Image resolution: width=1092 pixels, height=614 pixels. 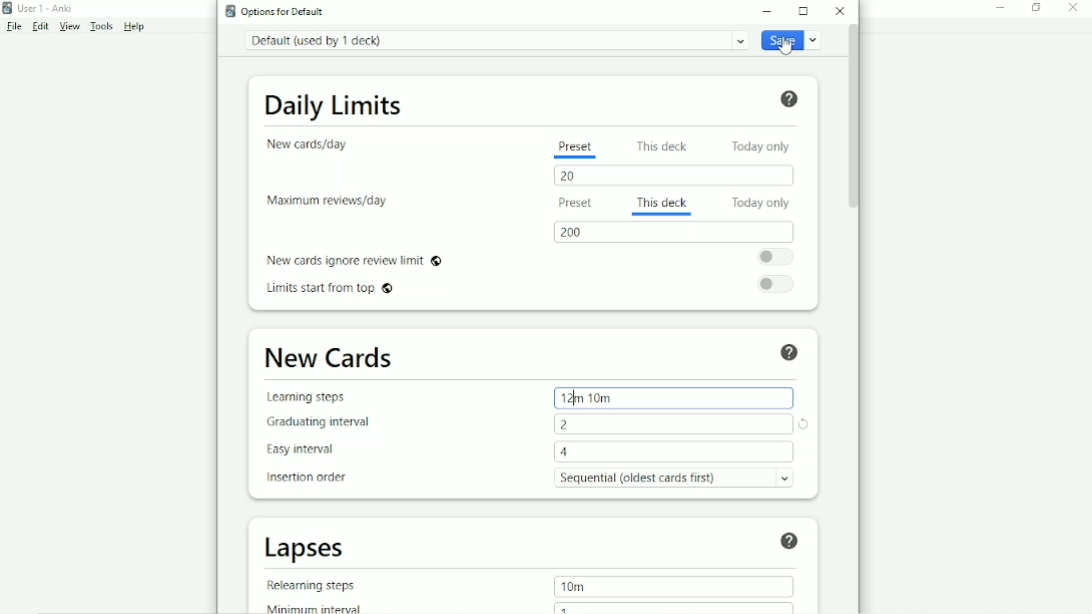 I want to click on New Cards, so click(x=331, y=359).